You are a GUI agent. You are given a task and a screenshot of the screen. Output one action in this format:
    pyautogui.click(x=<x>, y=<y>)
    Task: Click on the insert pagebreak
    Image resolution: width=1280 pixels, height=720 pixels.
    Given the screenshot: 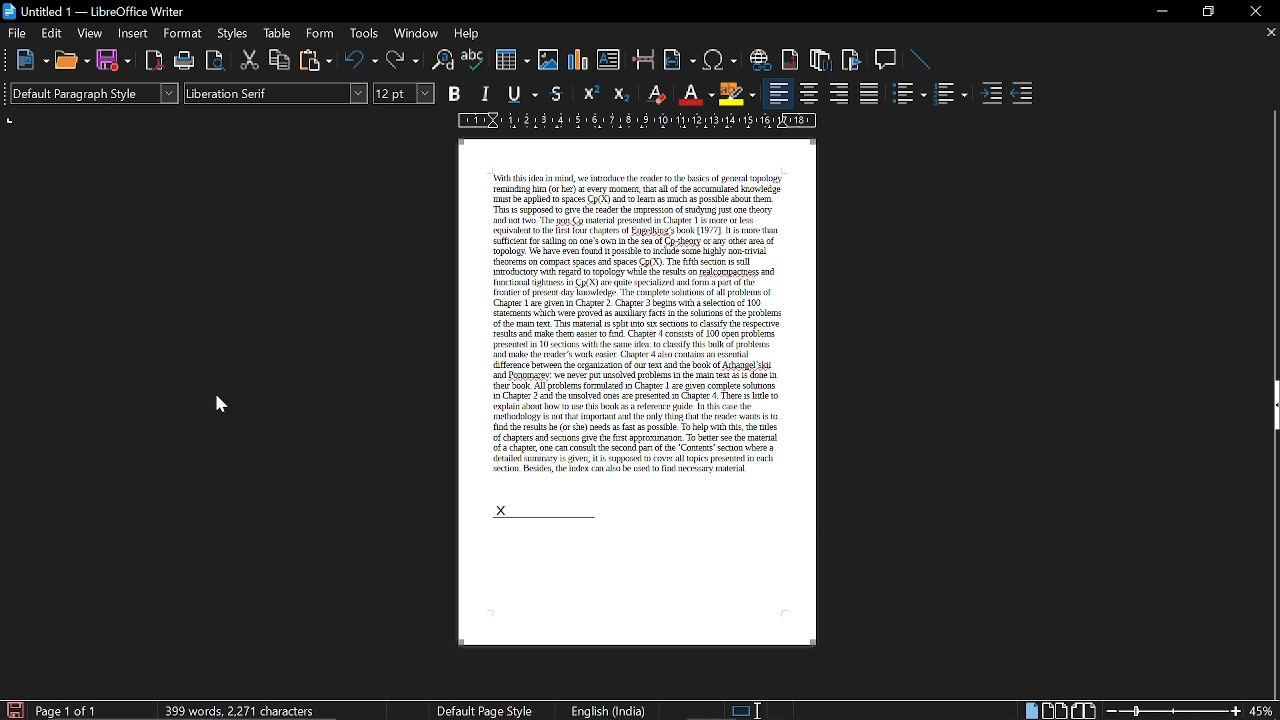 What is the action you would take?
    pyautogui.click(x=644, y=59)
    